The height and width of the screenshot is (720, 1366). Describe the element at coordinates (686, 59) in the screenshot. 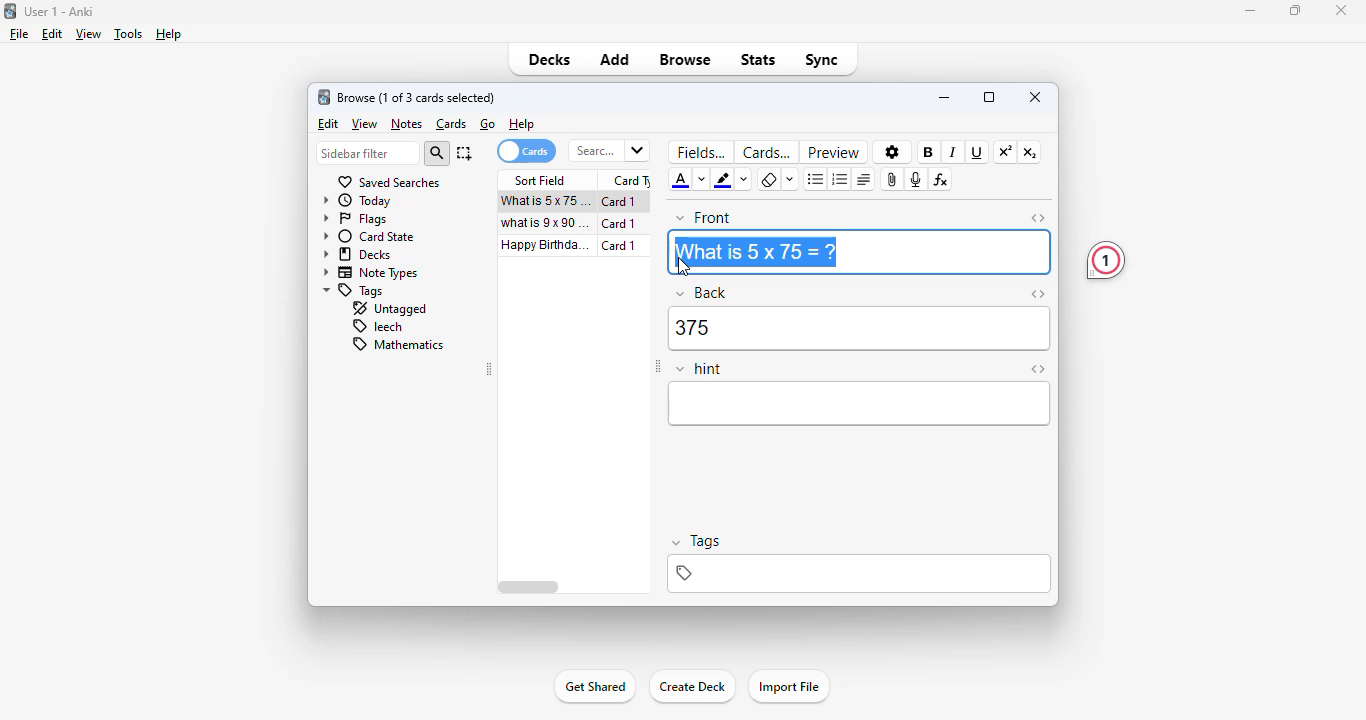

I see `browse` at that location.